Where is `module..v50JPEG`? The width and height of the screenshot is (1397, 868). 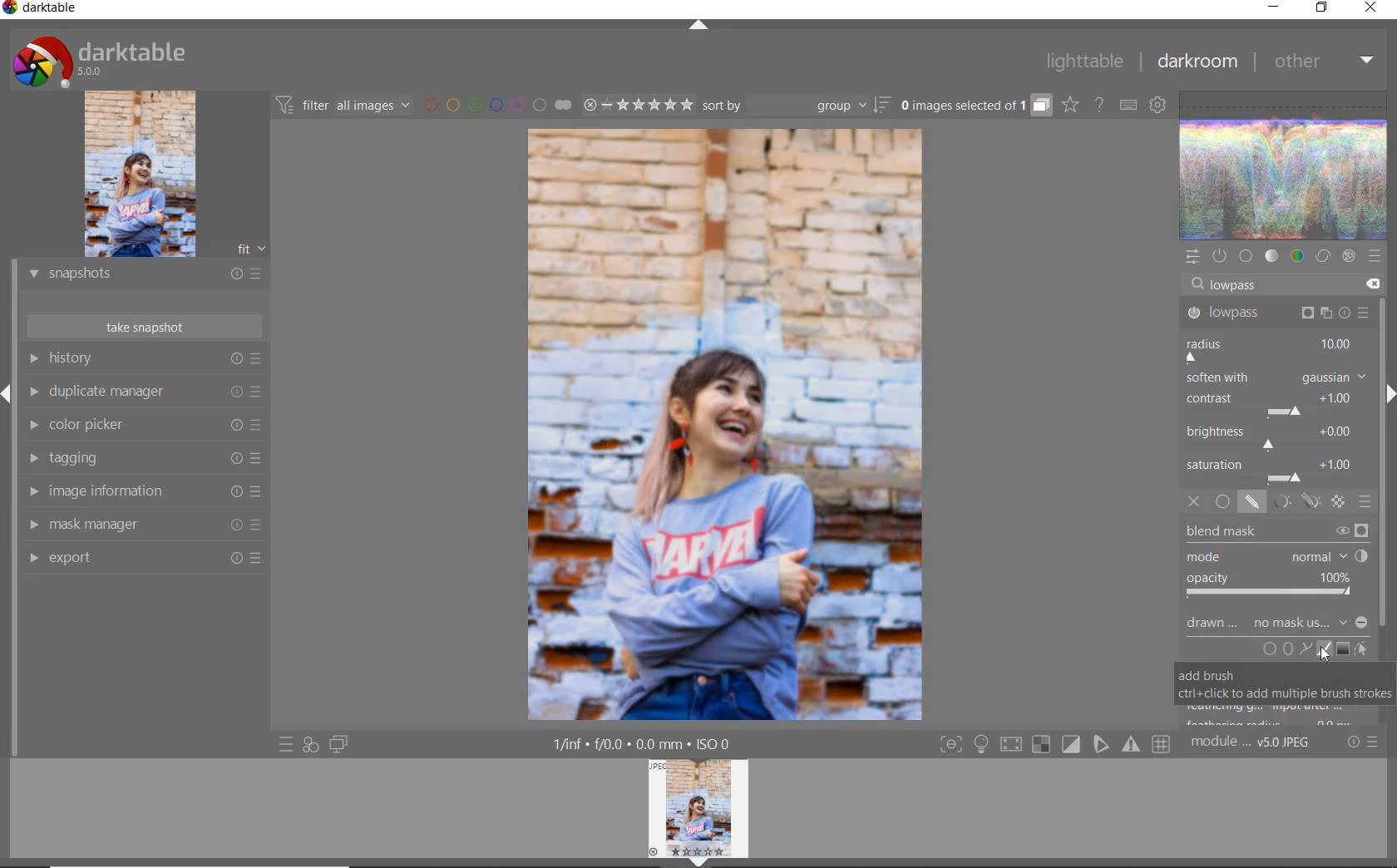
module..v50JPEG is located at coordinates (1253, 743).